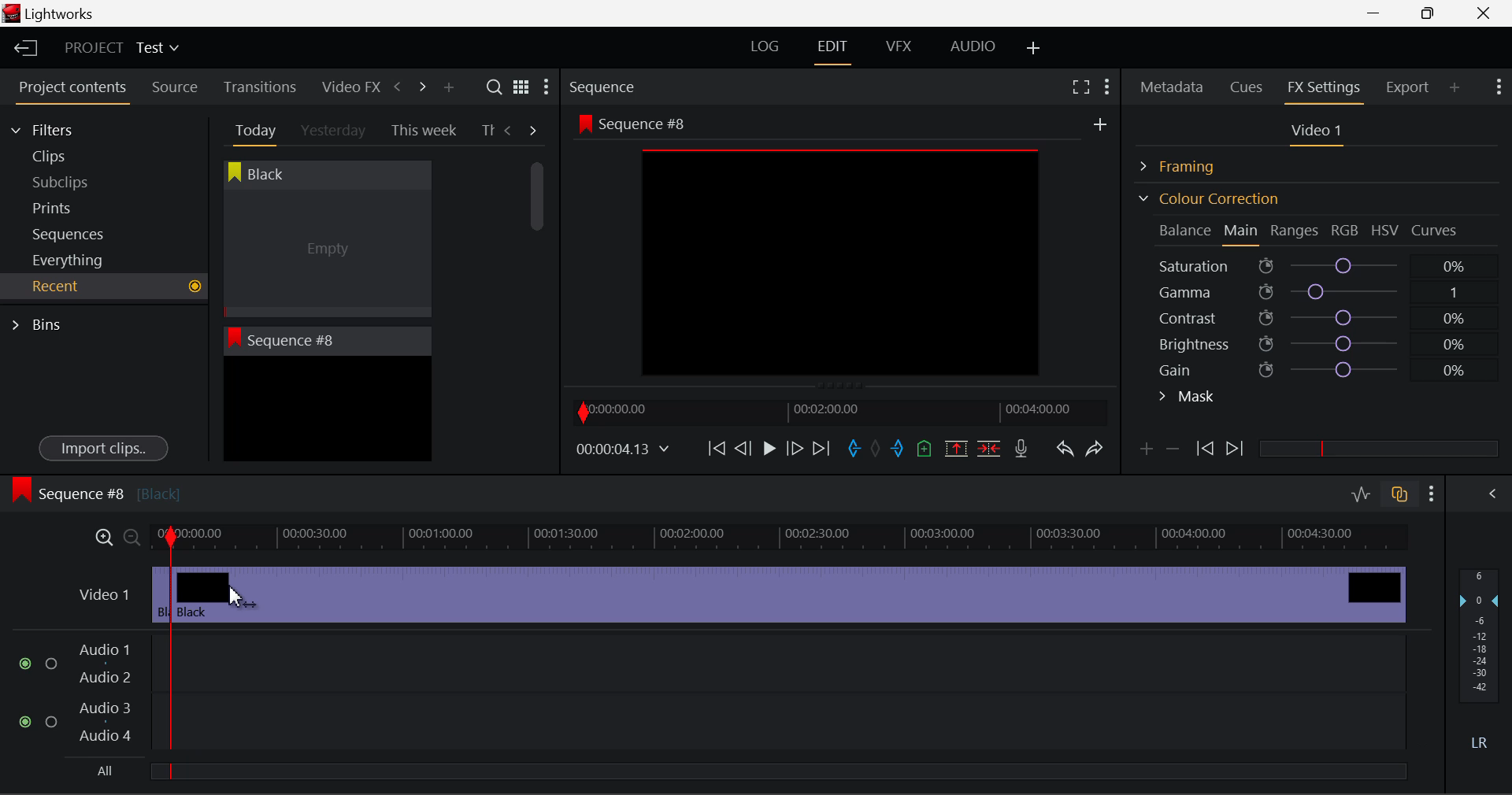 Image resolution: width=1512 pixels, height=795 pixels. I want to click on Filters, so click(57, 128).